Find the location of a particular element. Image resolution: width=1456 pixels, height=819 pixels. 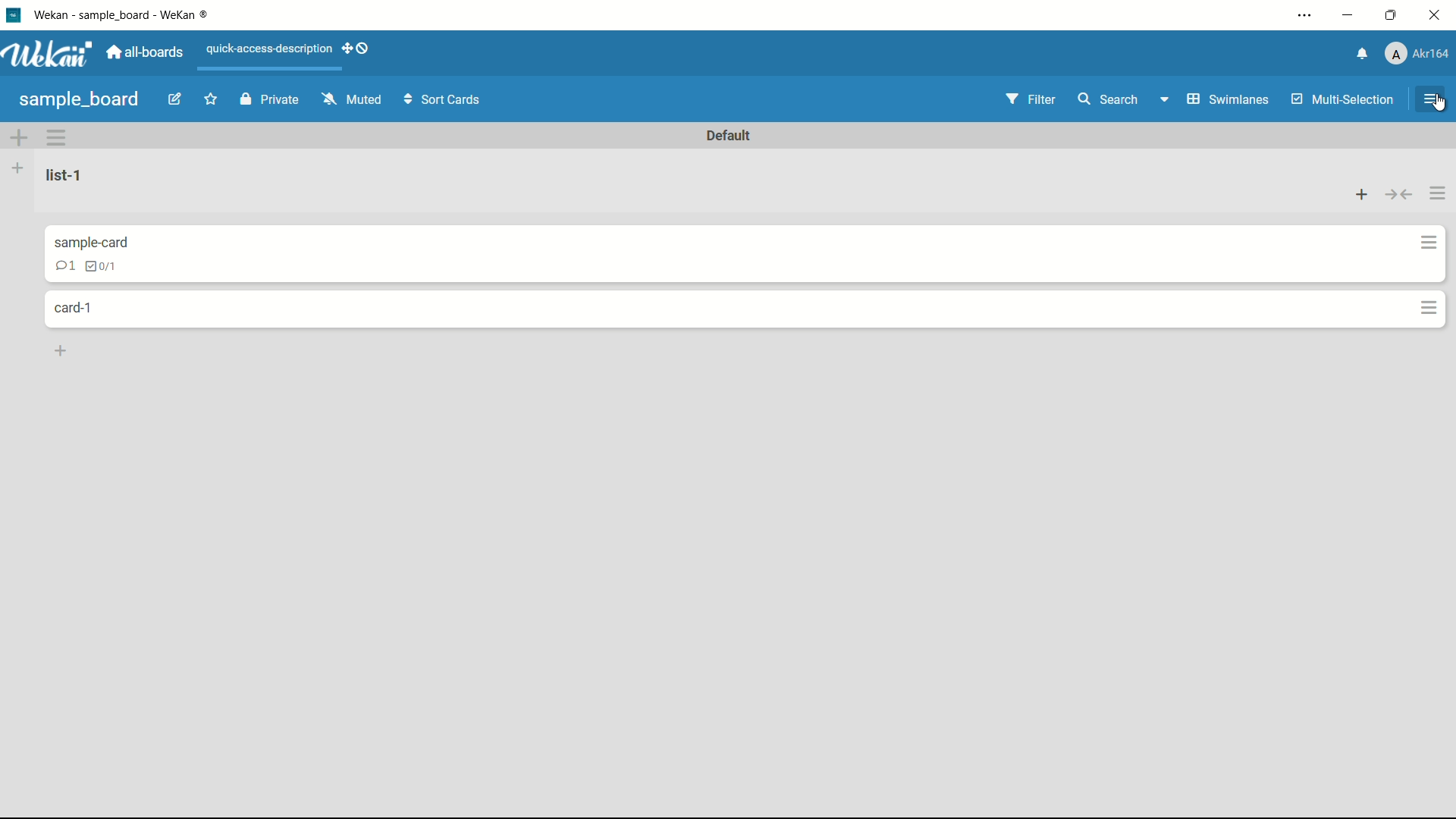

checklist is located at coordinates (104, 265).